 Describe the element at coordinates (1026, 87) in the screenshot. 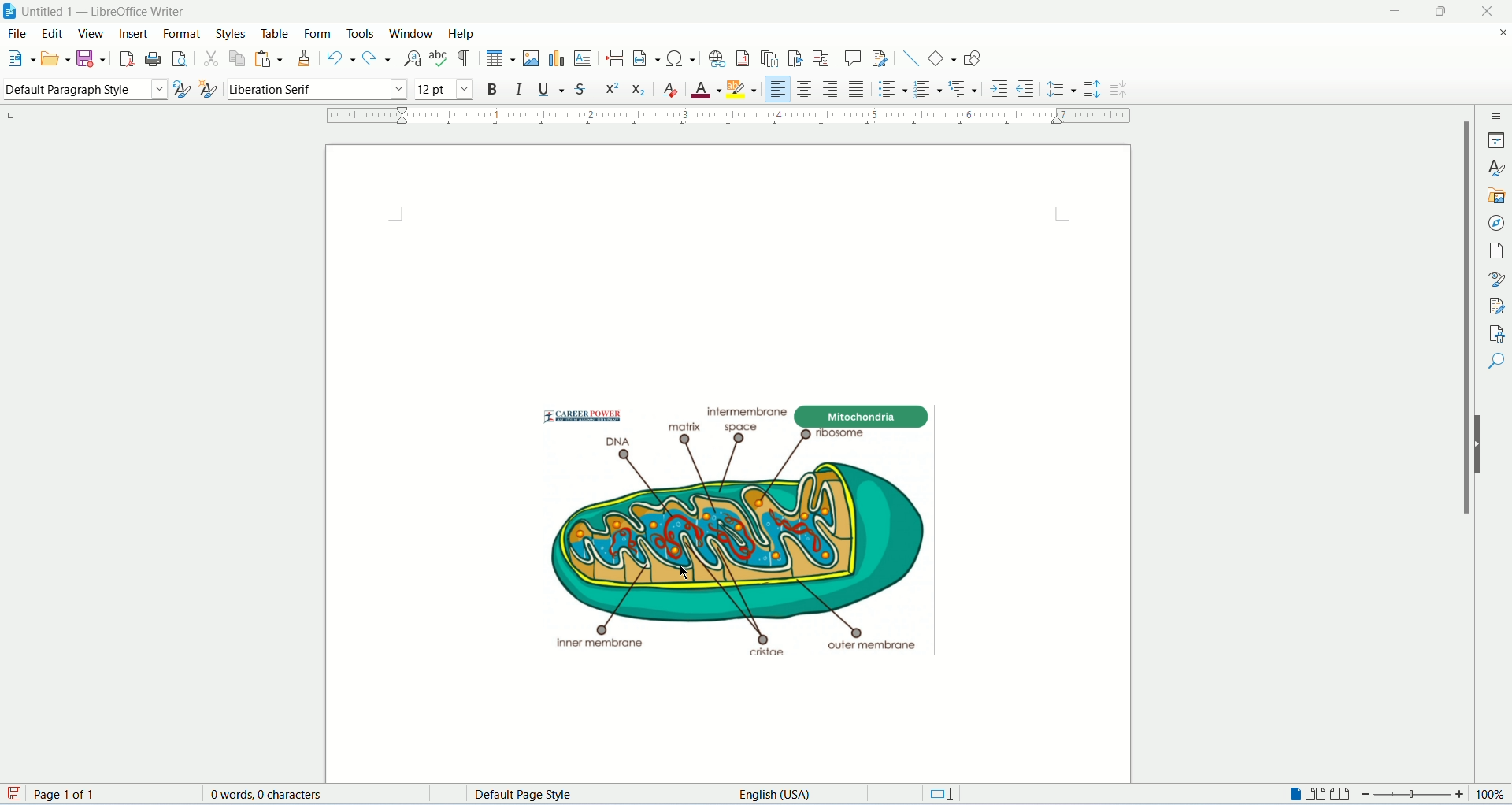

I see `decrease indent` at that location.